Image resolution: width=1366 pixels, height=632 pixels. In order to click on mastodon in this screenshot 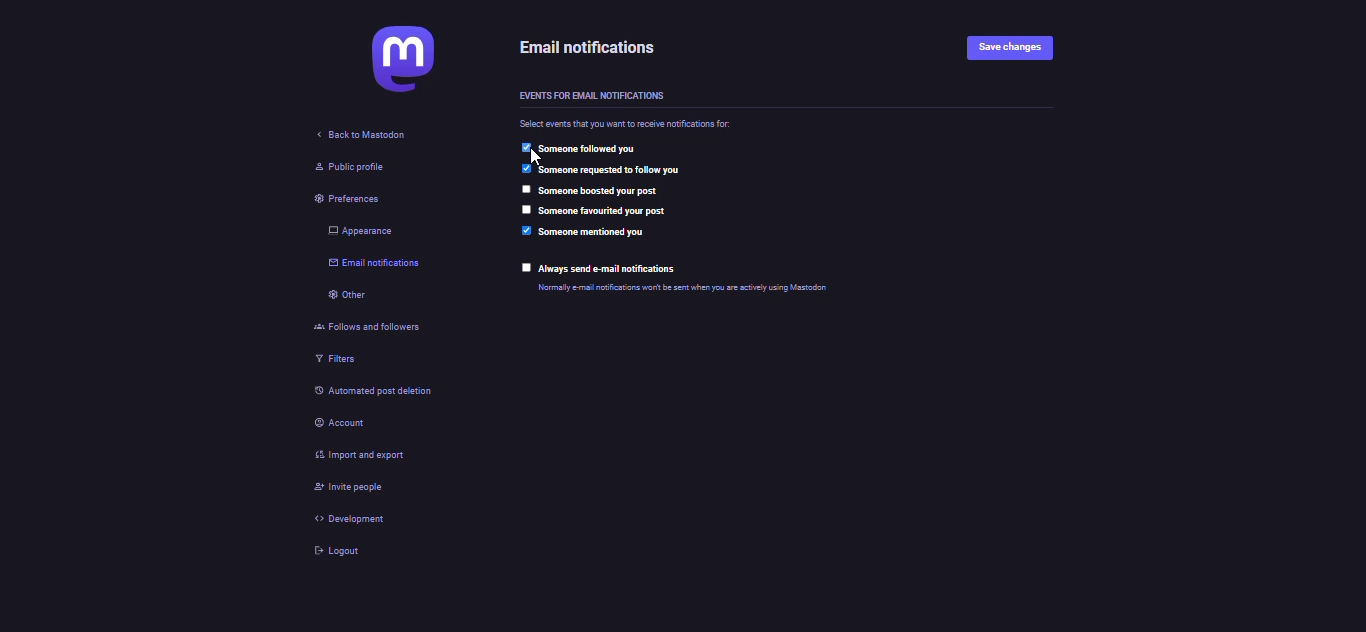, I will do `click(395, 59)`.